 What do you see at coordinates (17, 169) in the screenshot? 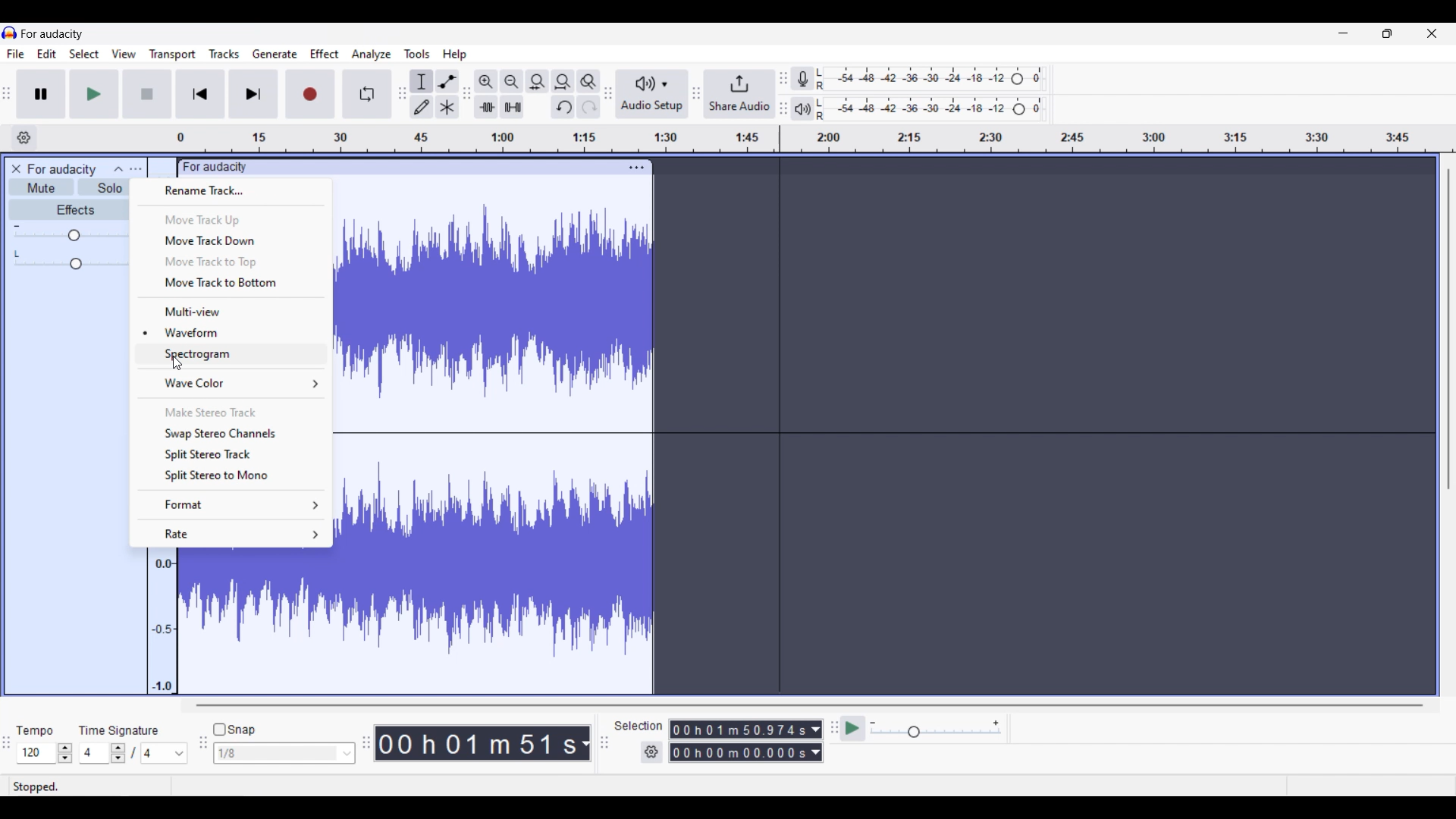
I see `Close track` at bounding box center [17, 169].